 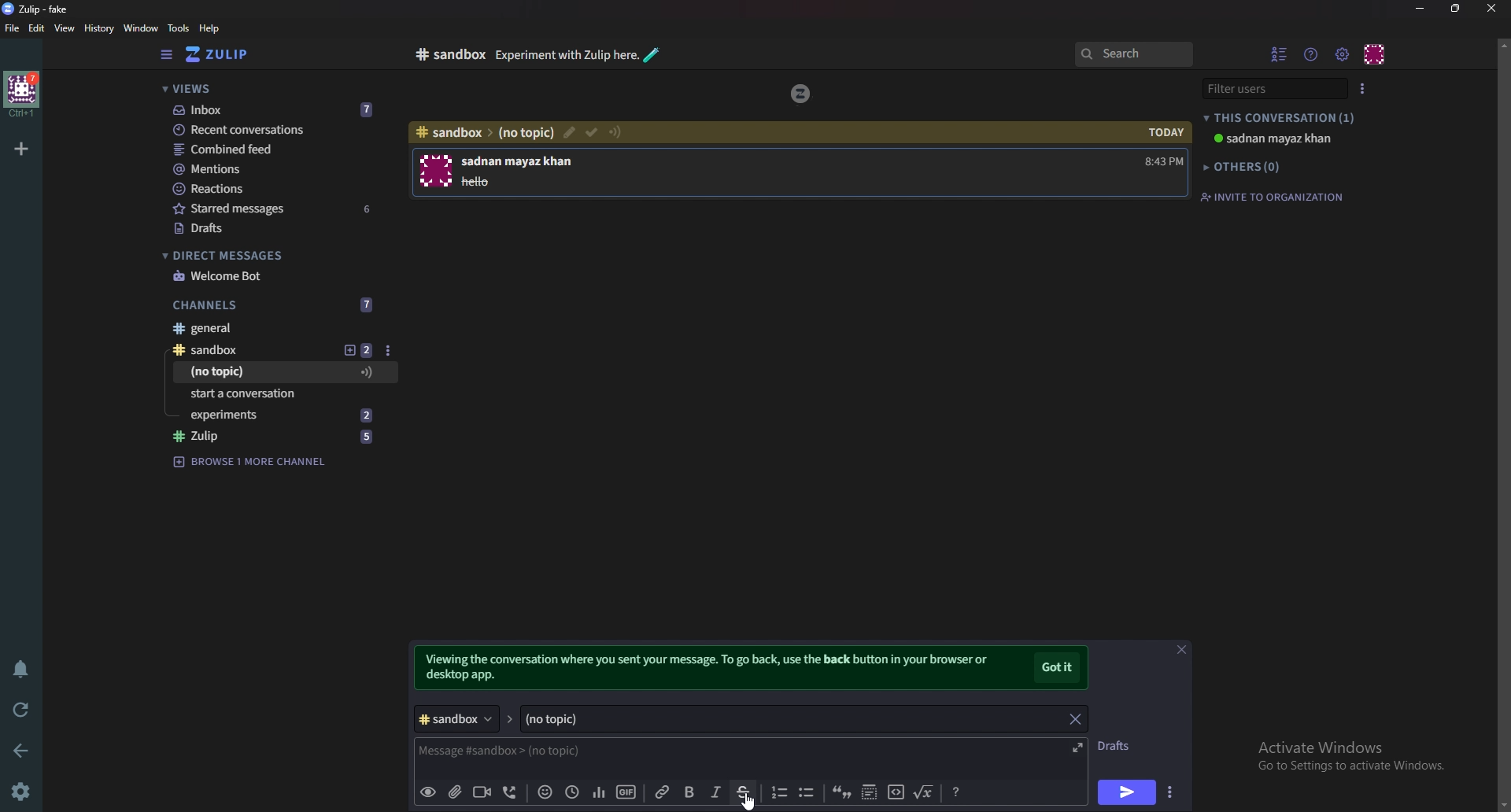 I want to click on Link, so click(x=661, y=793).